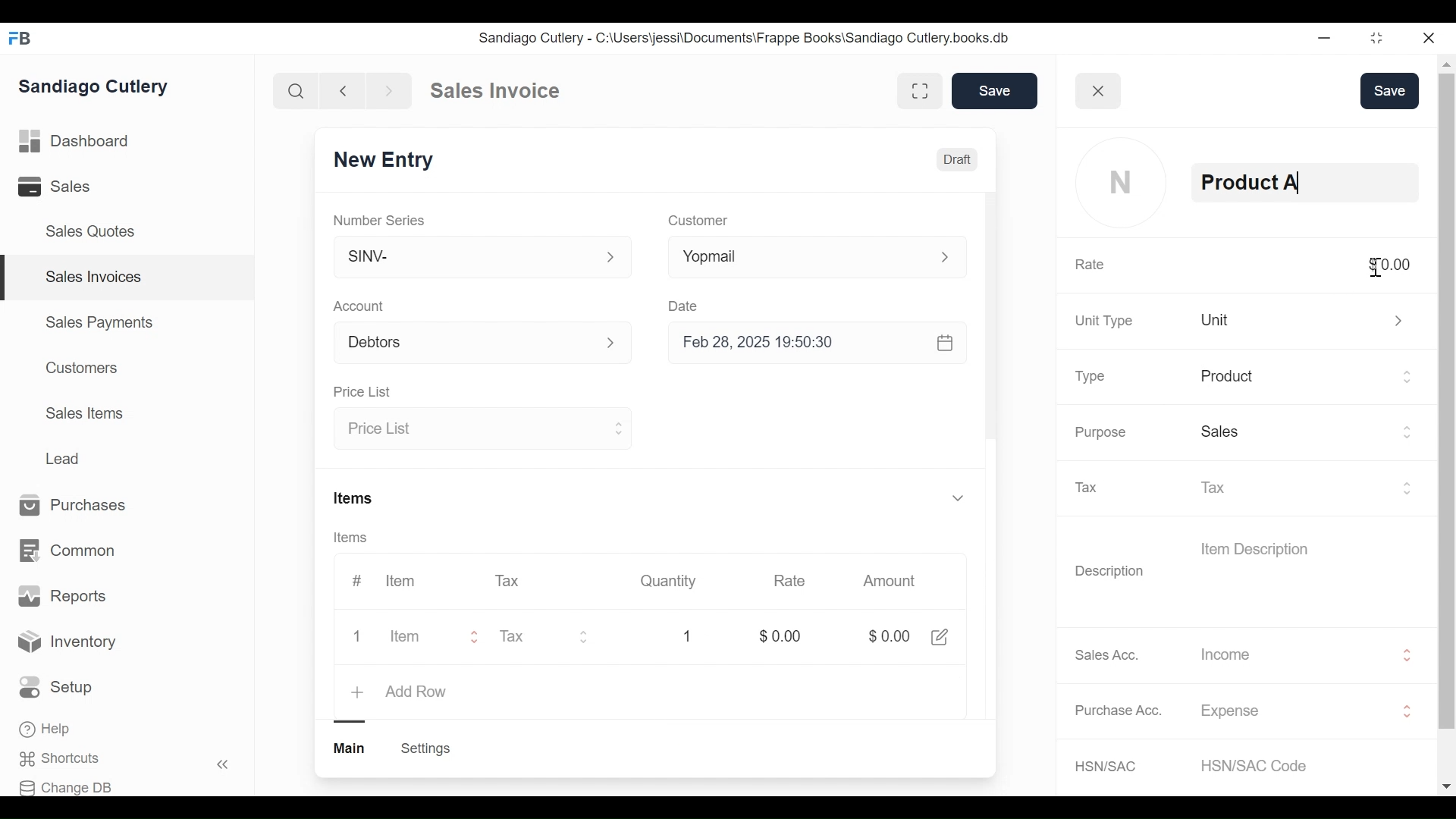  What do you see at coordinates (1308, 486) in the screenshot?
I see `Tax` at bounding box center [1308, 486].